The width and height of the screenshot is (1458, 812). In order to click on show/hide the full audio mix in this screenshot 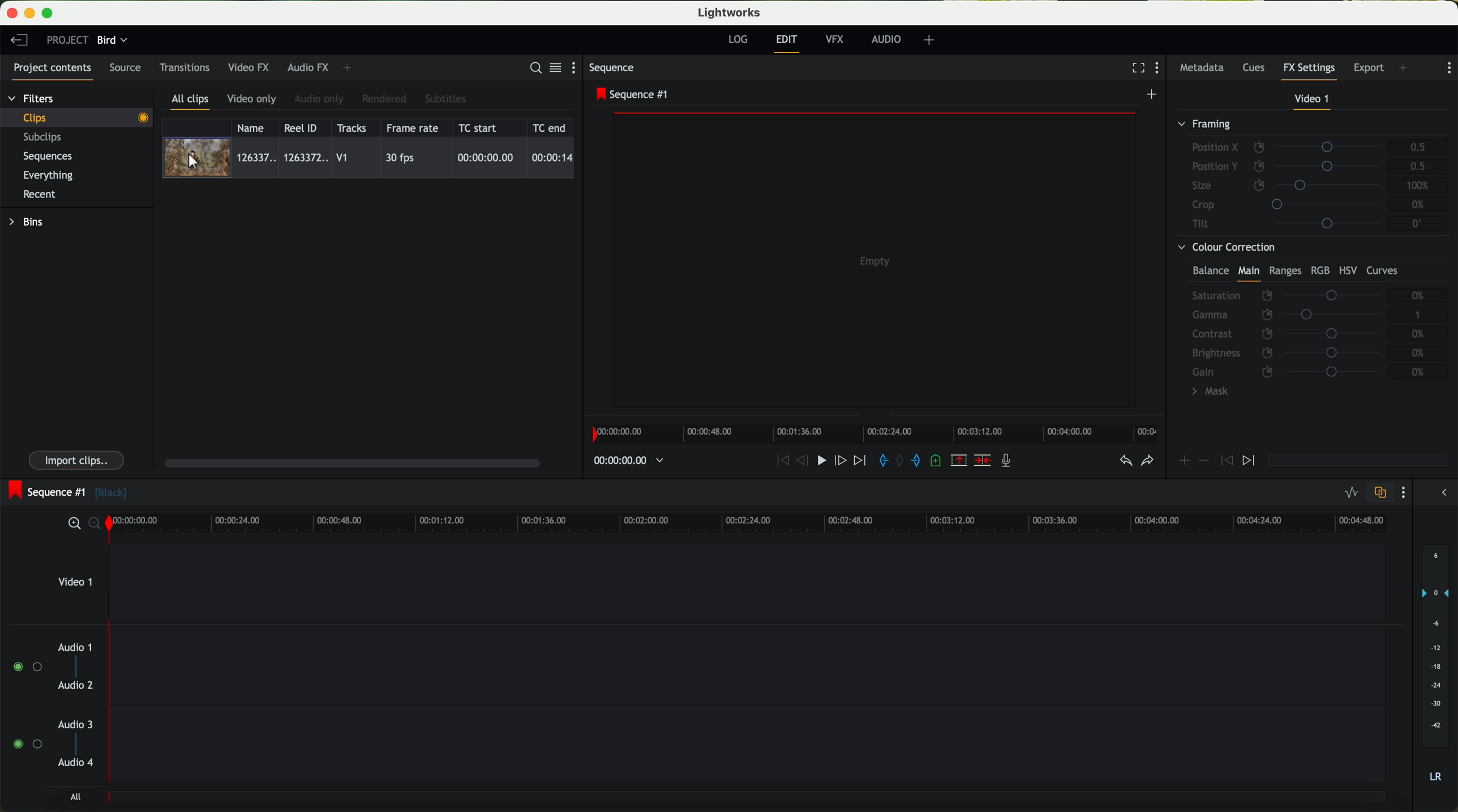, I will do `click(1440, 493)`.